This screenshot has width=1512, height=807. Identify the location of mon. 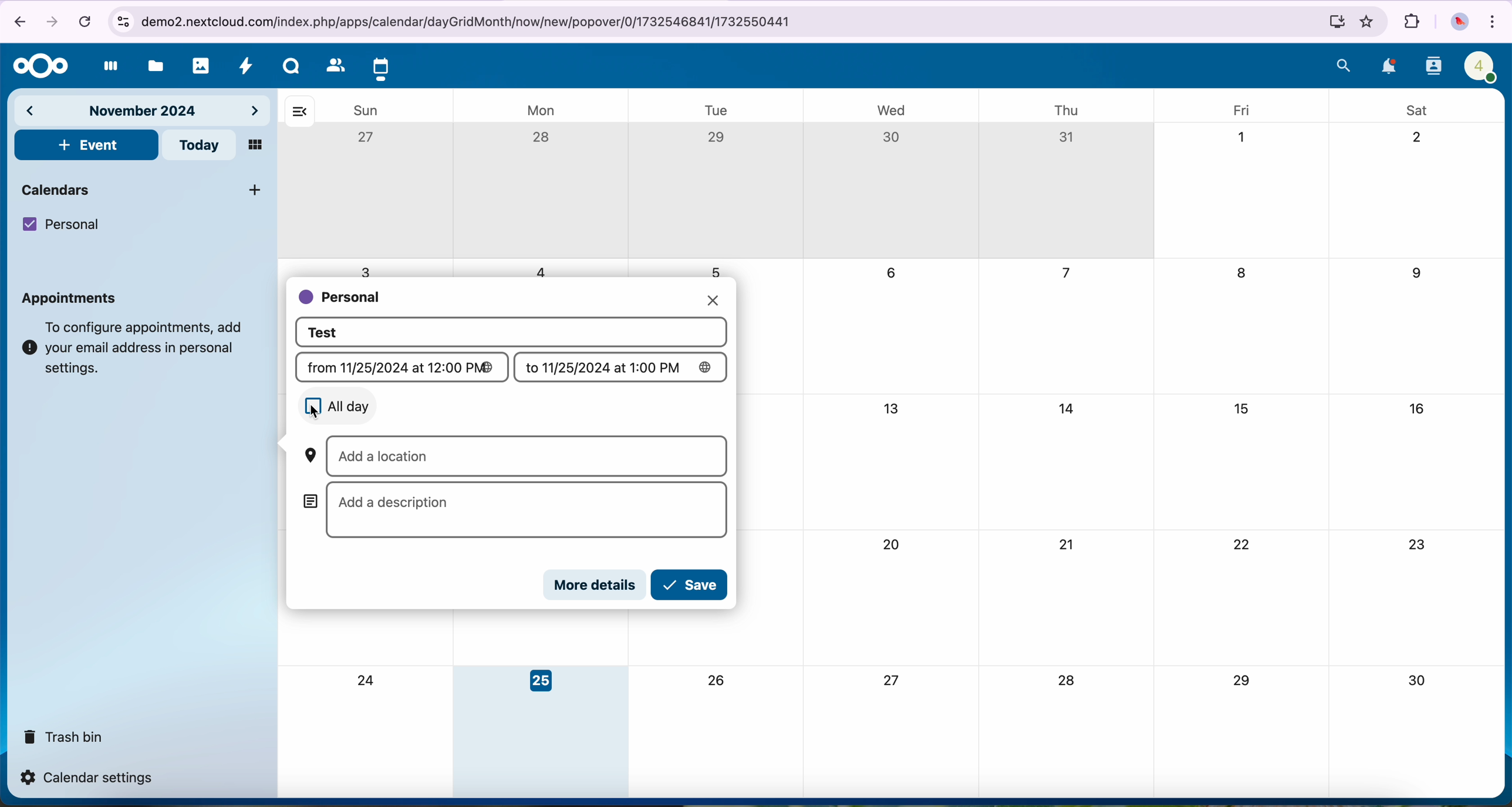
(544, 110).